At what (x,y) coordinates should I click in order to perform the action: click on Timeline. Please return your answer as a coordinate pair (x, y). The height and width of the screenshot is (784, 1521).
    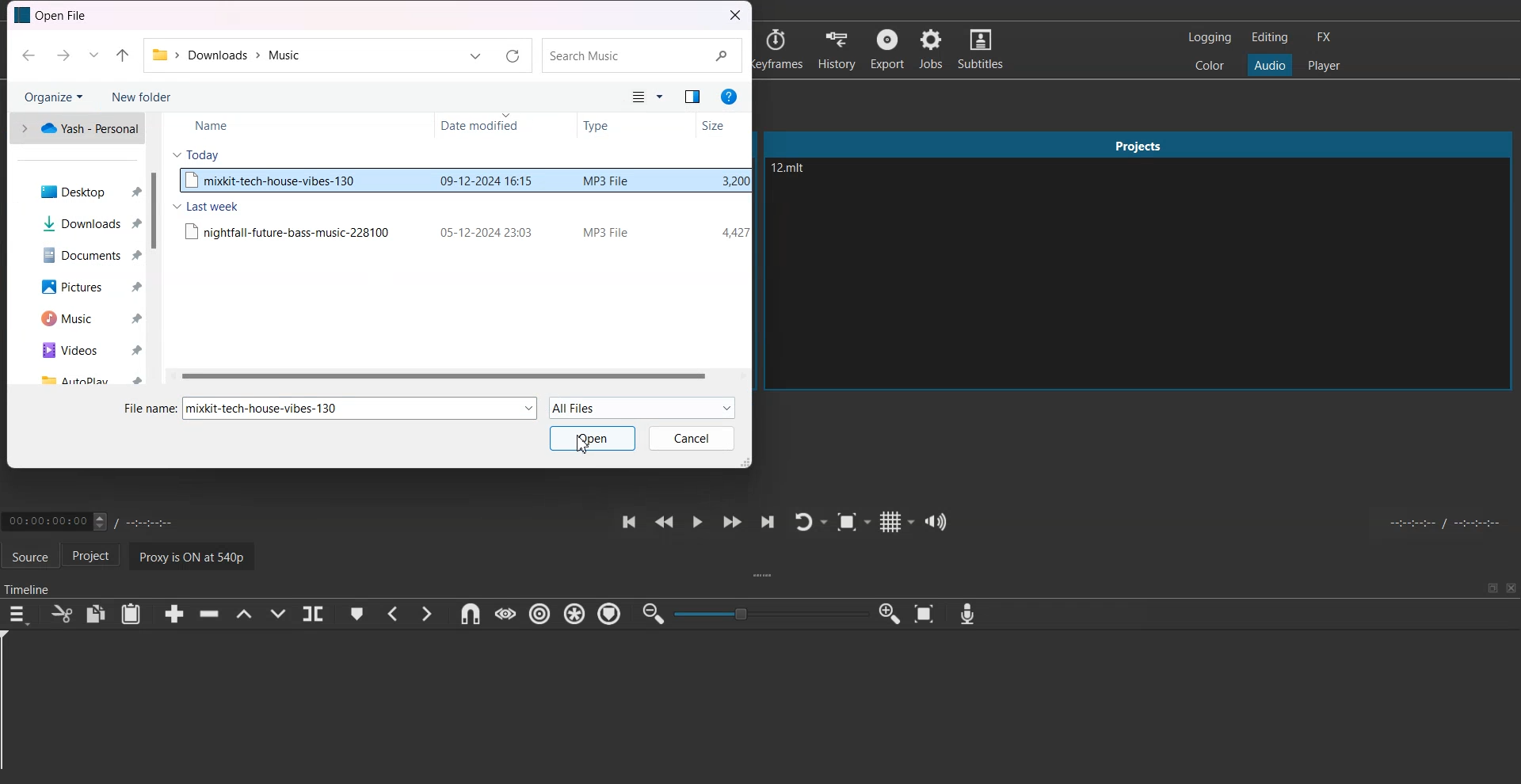
    Looking at the image, I should click on (29, 585).